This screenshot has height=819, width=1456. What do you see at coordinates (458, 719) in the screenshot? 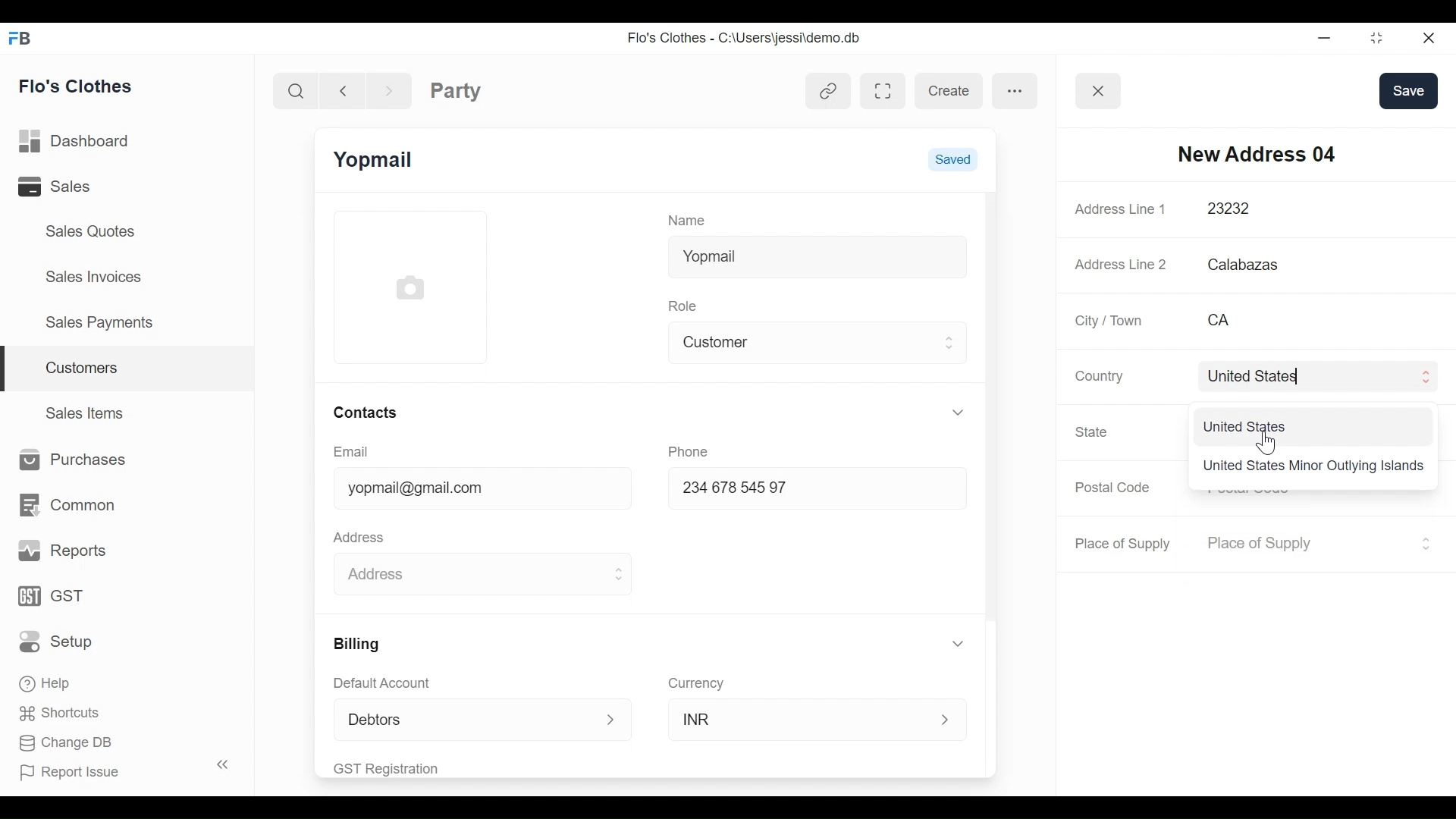
I see `Debtors` at bounding box center [458, 719].